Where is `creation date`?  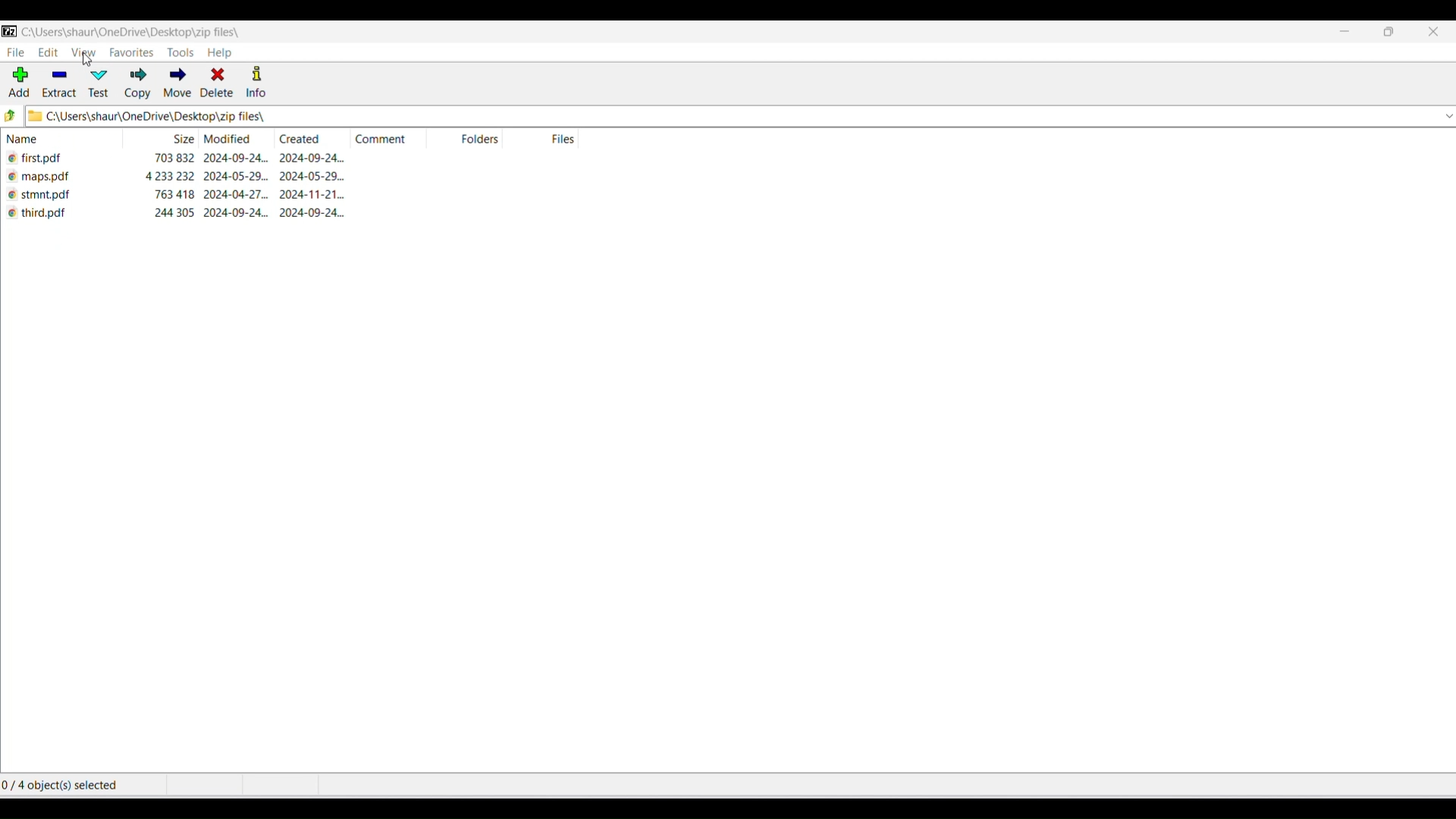 creation date is located at coordinates (321, 215).